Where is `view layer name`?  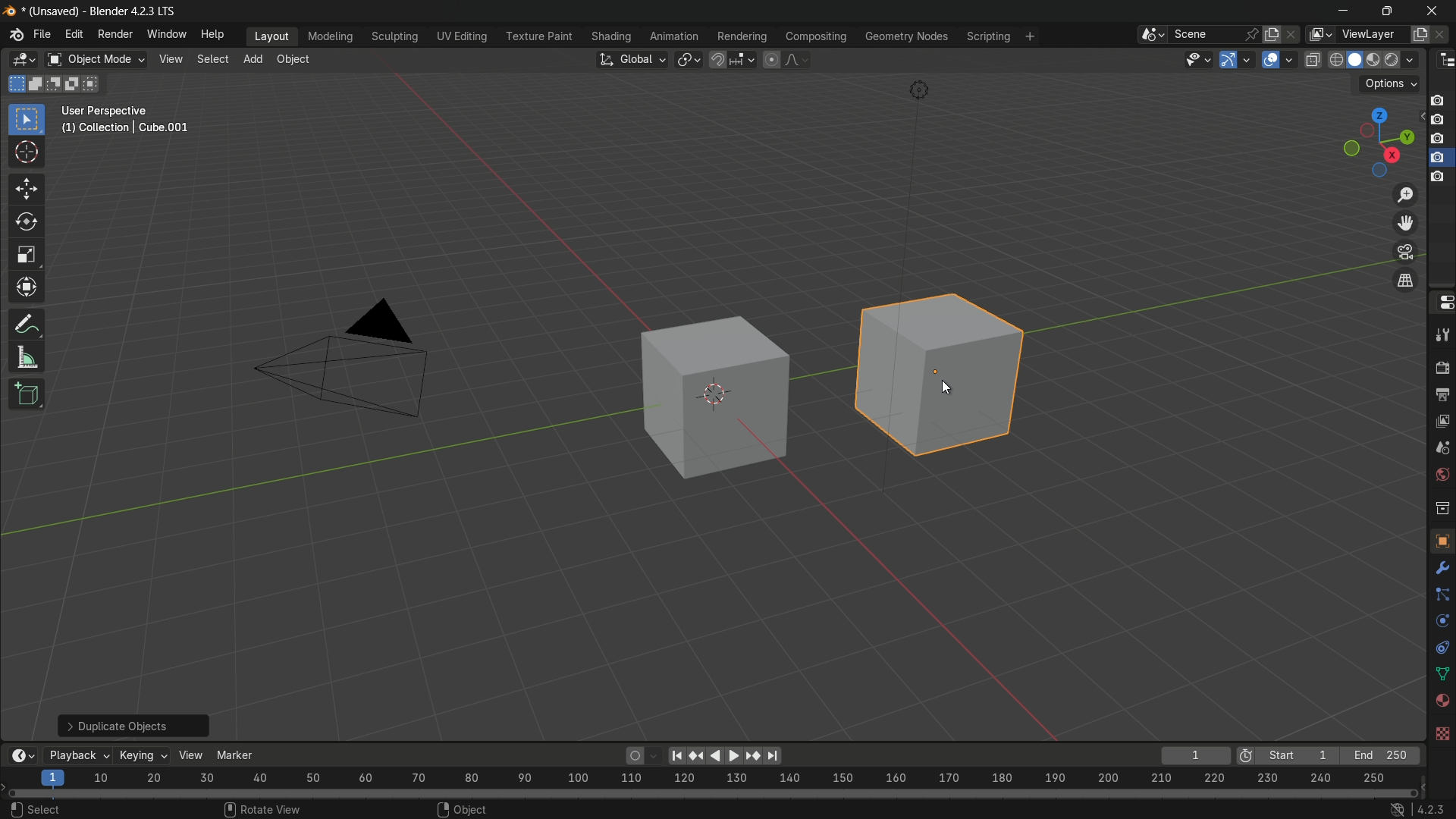
view layer name is located at coordinates (1374, 34).